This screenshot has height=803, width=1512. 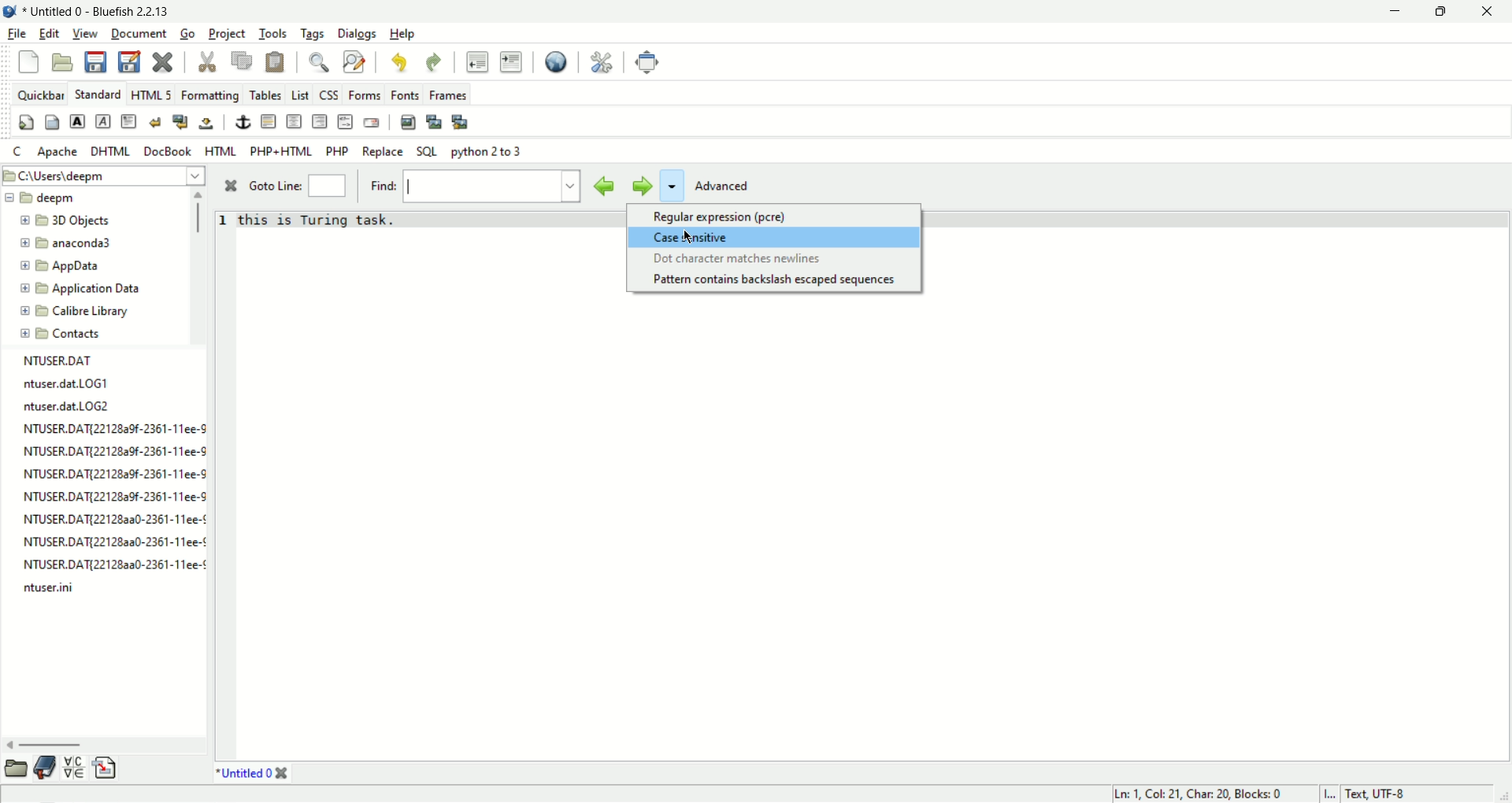 What do you see at coordinates (62, 409) in the screenshot?
I see `ntuser.dat.LOG2` at bounding box center [62, 409].